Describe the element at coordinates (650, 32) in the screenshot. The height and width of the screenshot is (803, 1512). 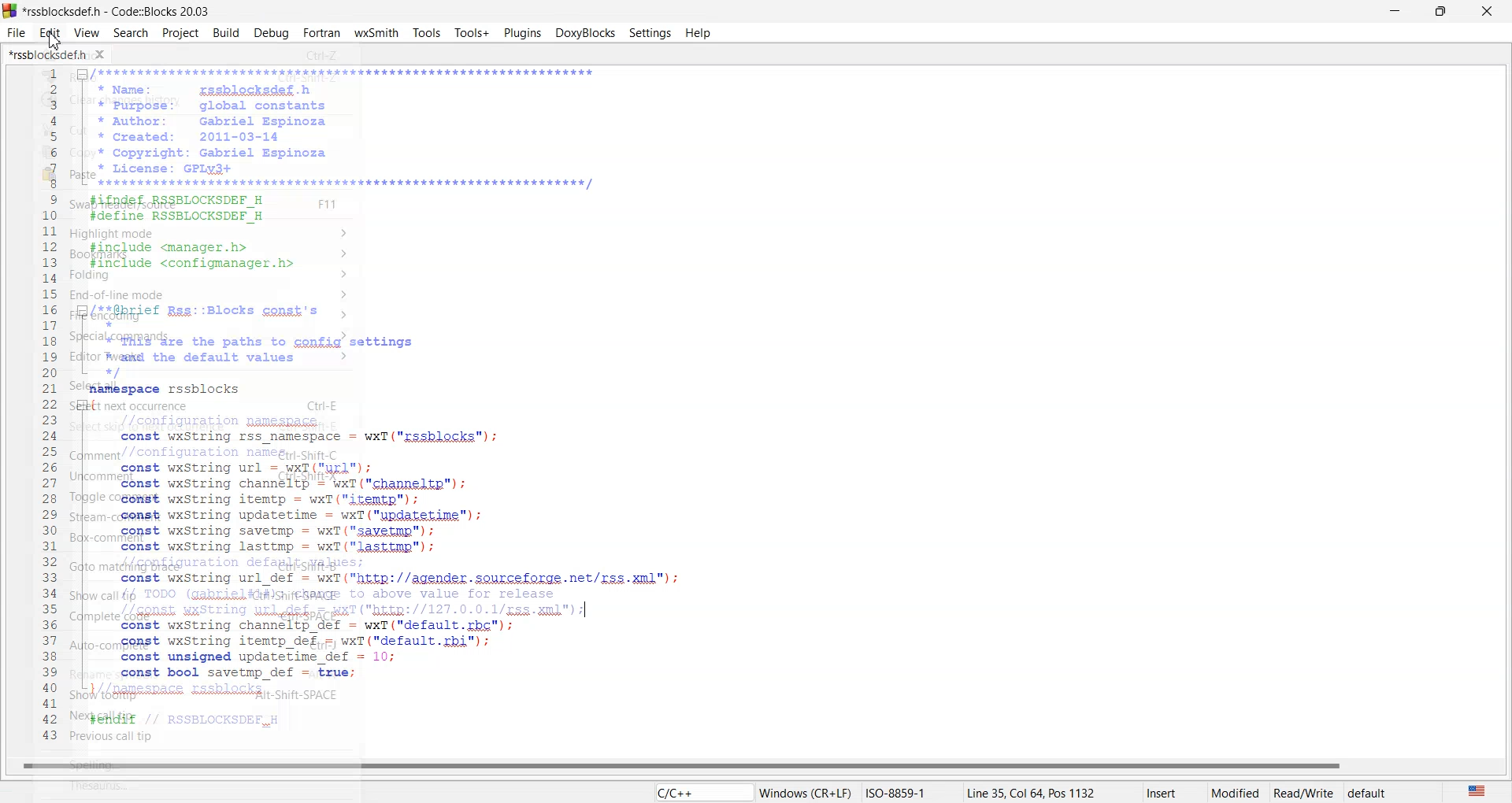
I see `Settings` at that location.